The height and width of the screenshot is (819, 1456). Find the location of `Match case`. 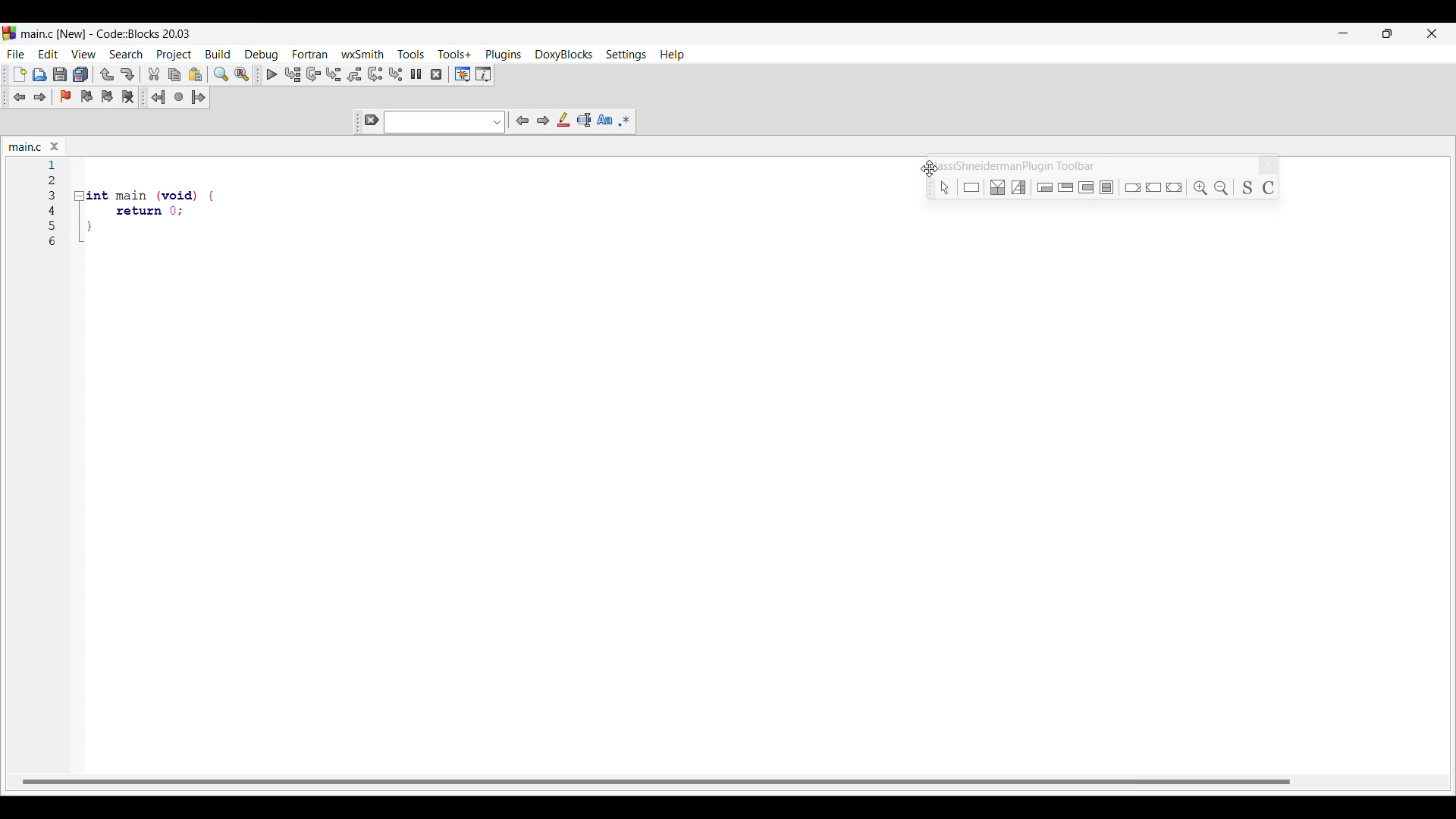

Match case is located at coordinates (604, 119).